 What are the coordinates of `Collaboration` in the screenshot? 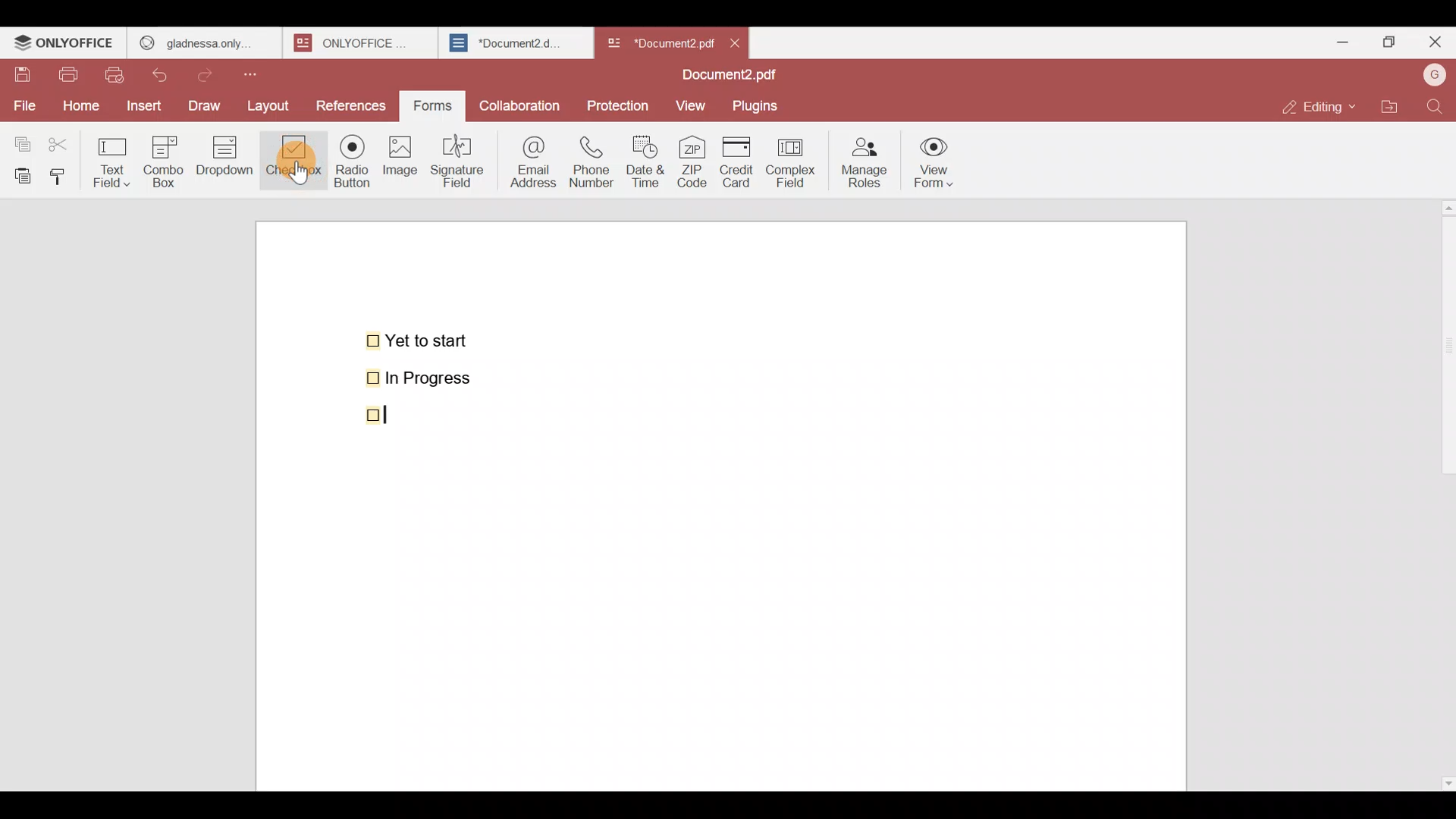 It's located at (521, 102).